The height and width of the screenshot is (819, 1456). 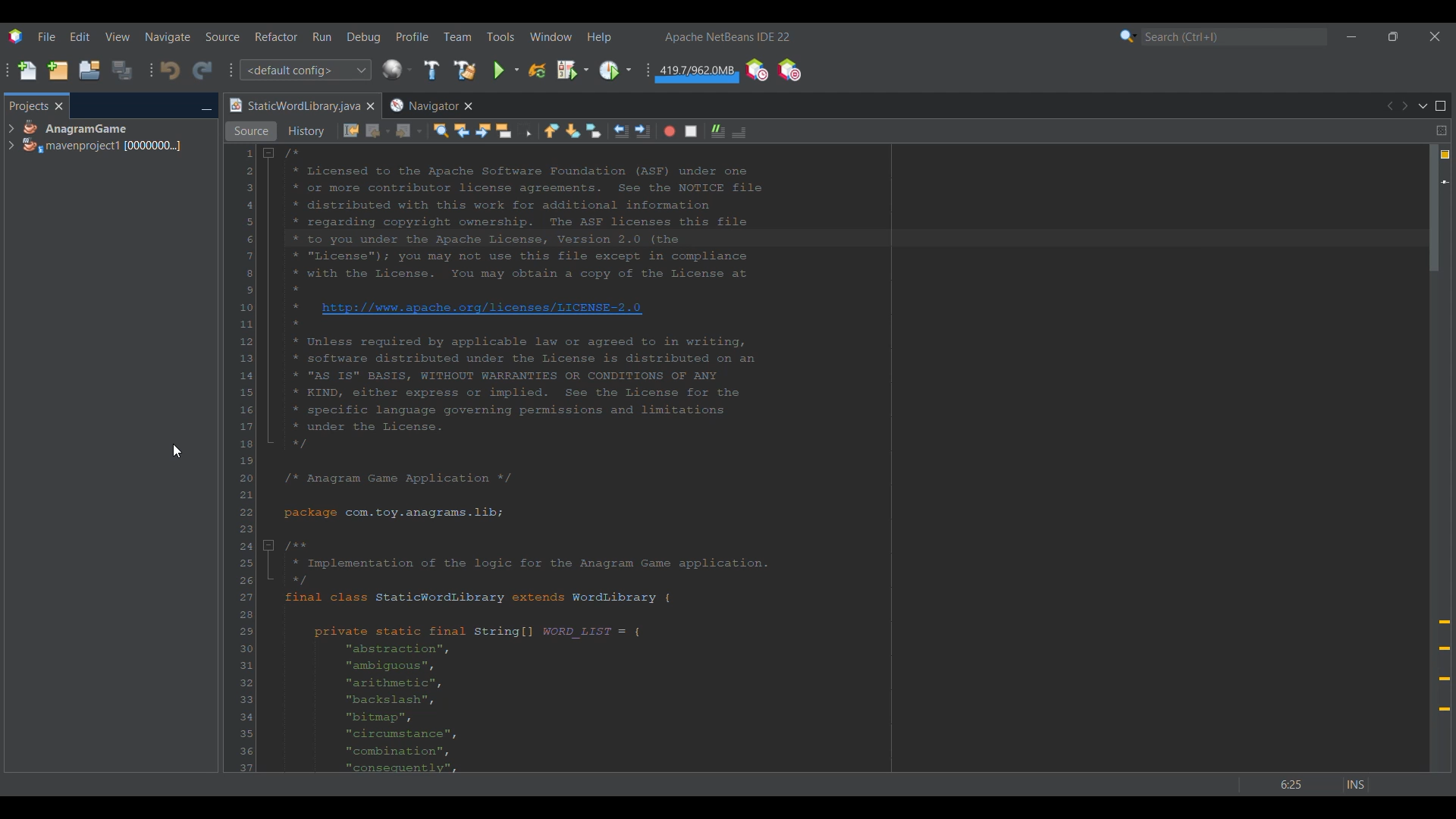 I want to click on Source menu, so click(x=223, y=36).